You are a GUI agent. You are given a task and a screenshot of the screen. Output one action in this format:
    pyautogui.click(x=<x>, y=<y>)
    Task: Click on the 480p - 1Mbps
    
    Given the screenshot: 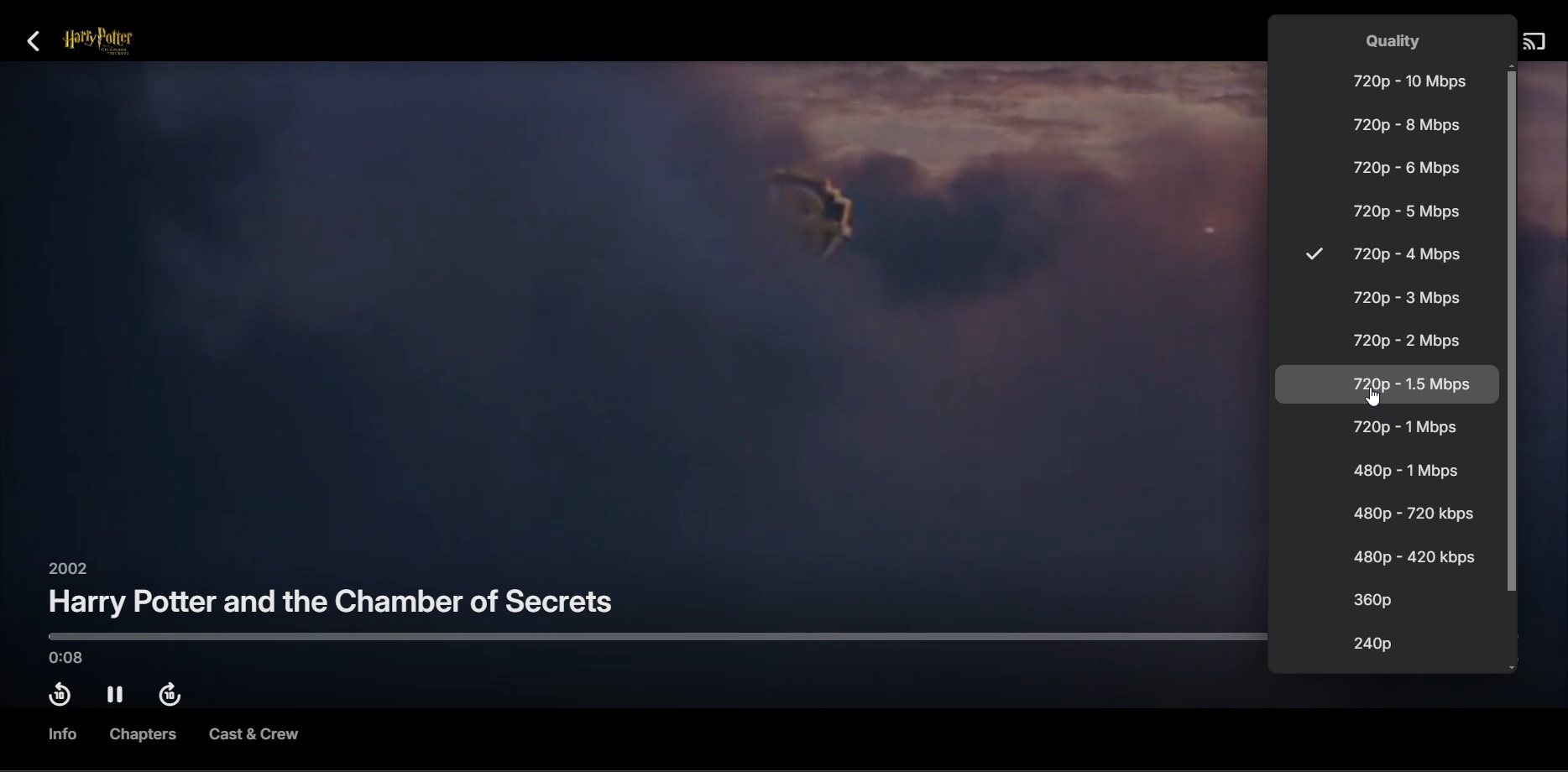 What is the action you would take?
    pyautogui.click(x=1406, y=471)
    